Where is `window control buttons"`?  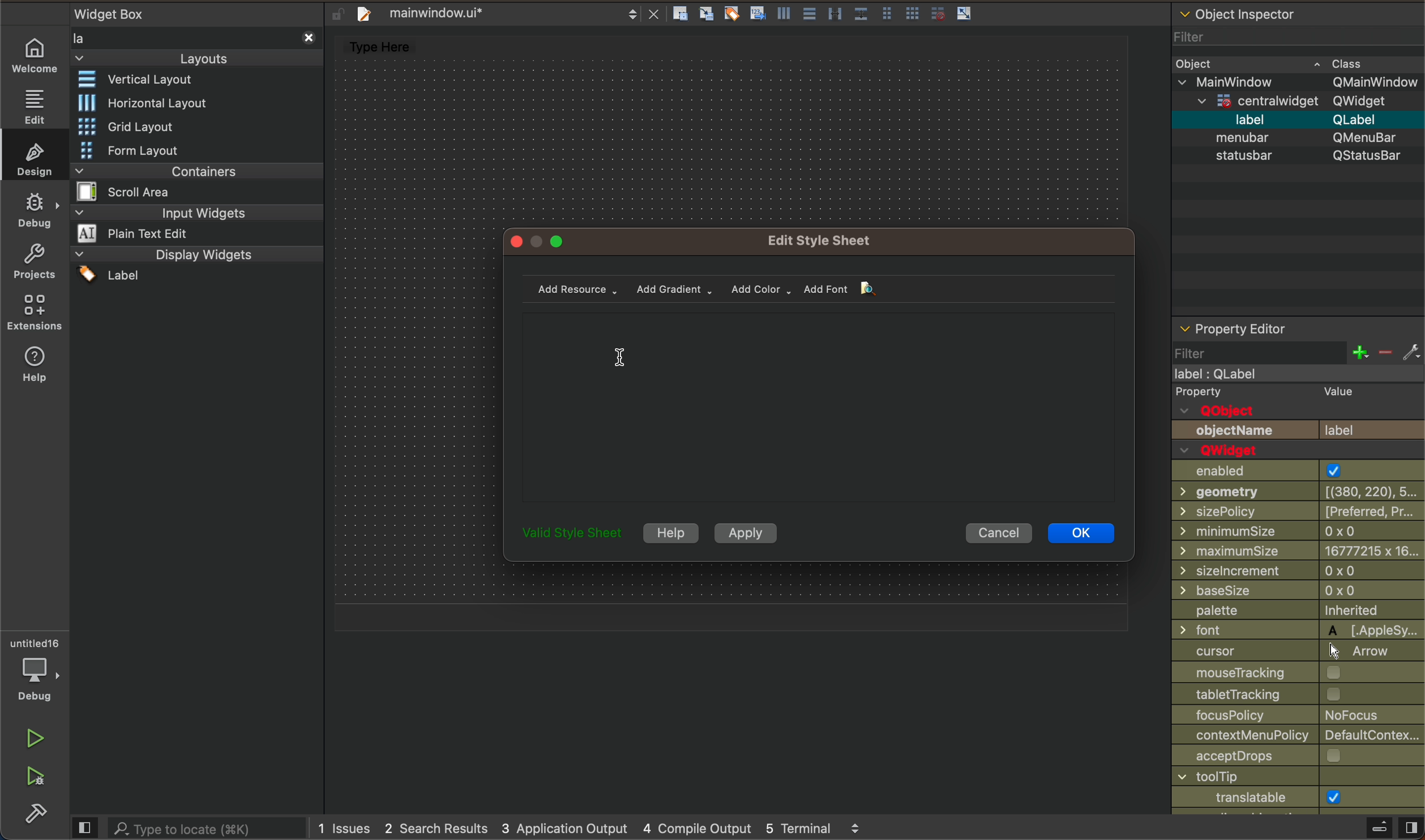 window control buttons" is located at coordinates (544, 242).